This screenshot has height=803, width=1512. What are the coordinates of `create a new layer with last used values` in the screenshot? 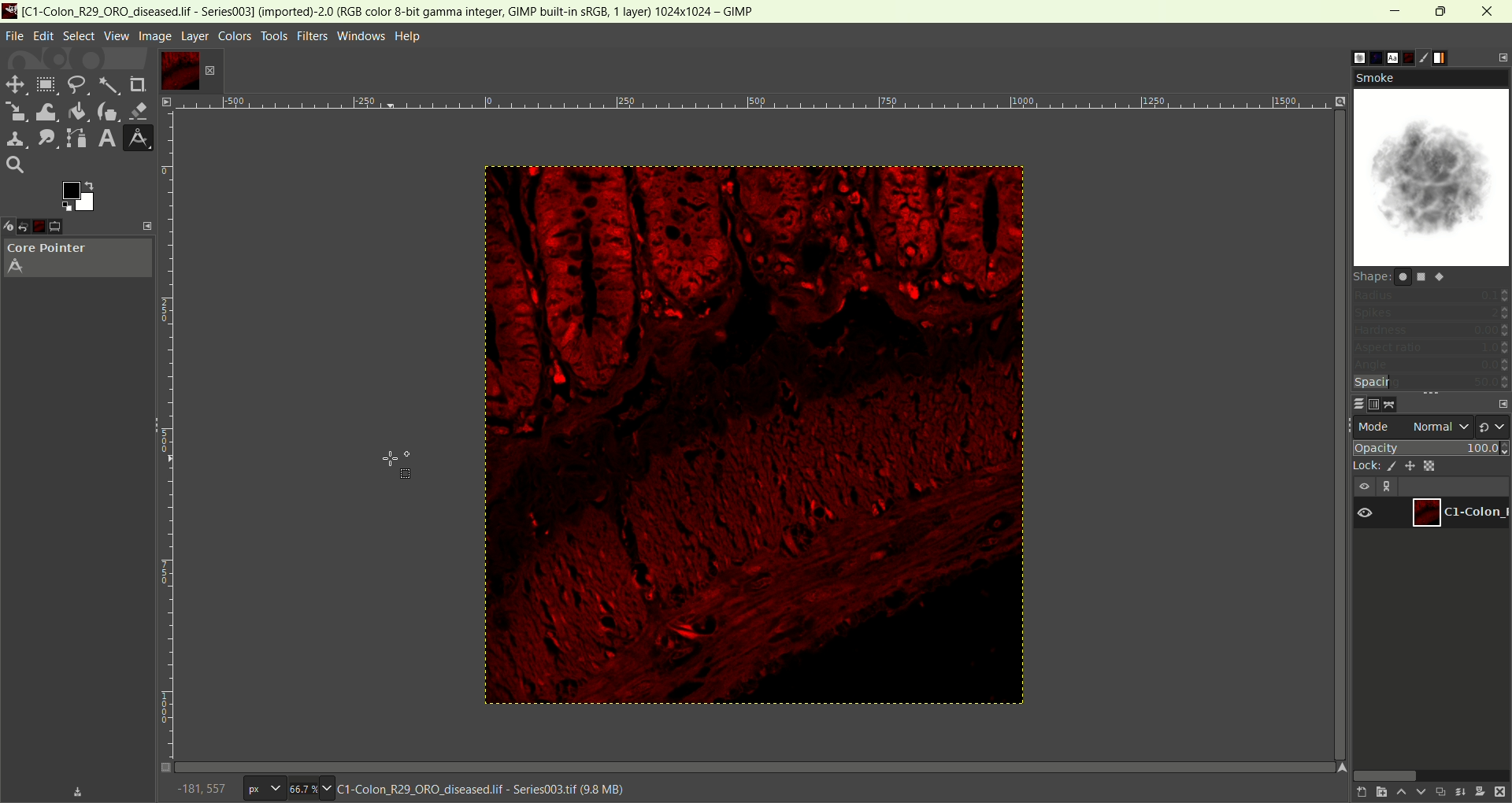 It's located at (1355, 793).